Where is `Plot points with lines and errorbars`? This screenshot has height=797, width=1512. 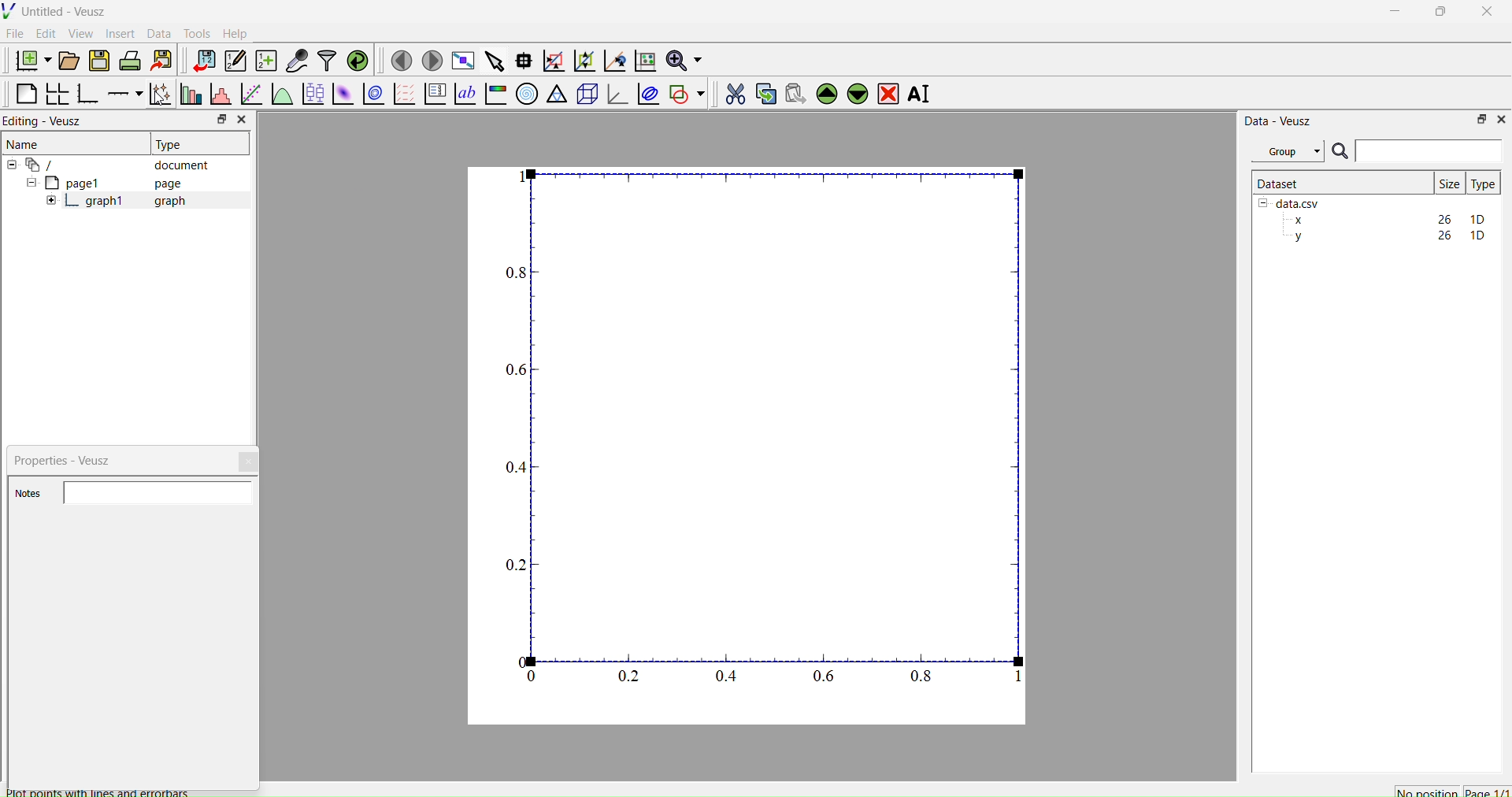 Plot points with lines and errorbars is located at coordinates (98, 791).